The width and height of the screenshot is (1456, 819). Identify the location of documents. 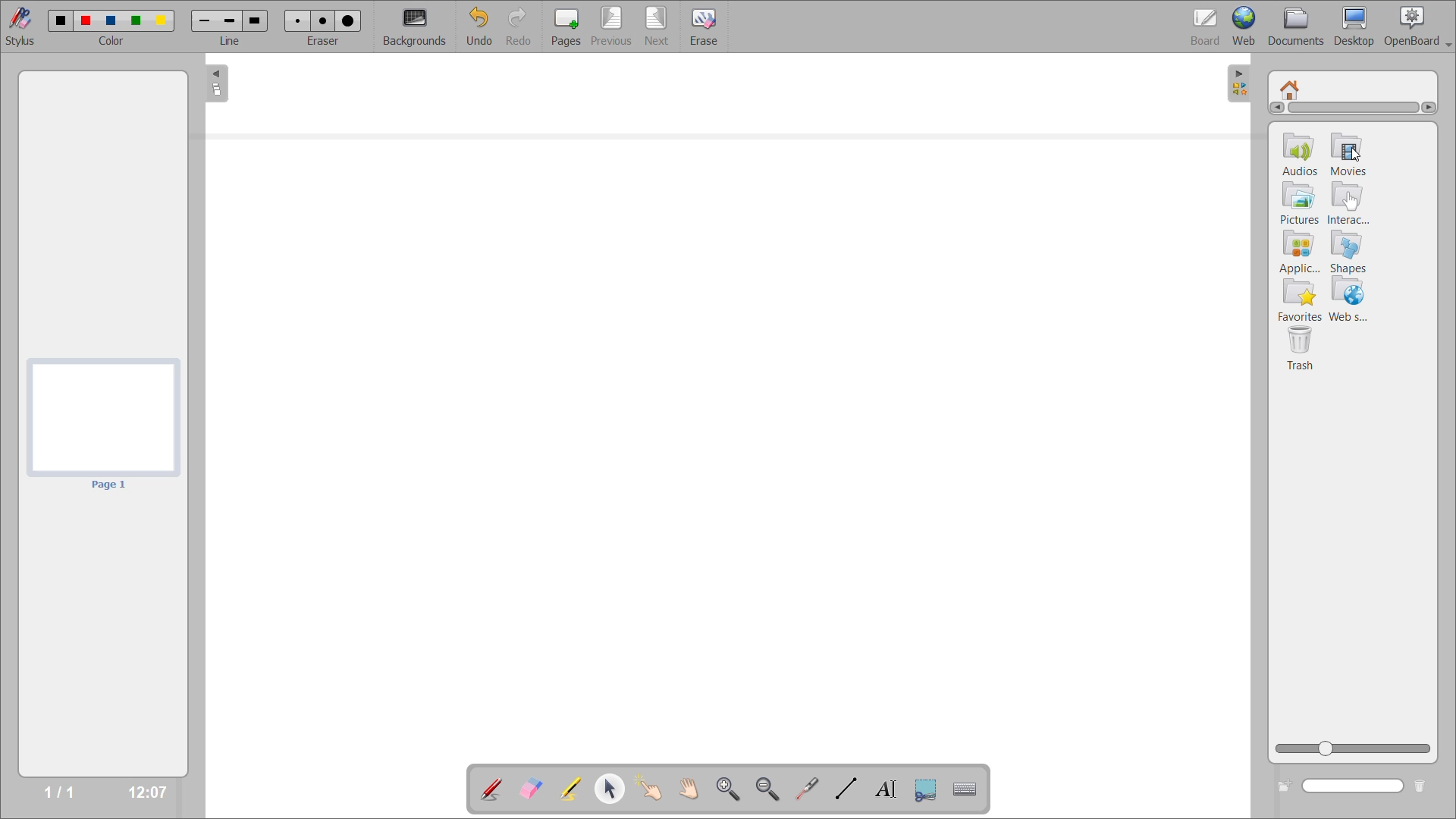
(1296, 25).